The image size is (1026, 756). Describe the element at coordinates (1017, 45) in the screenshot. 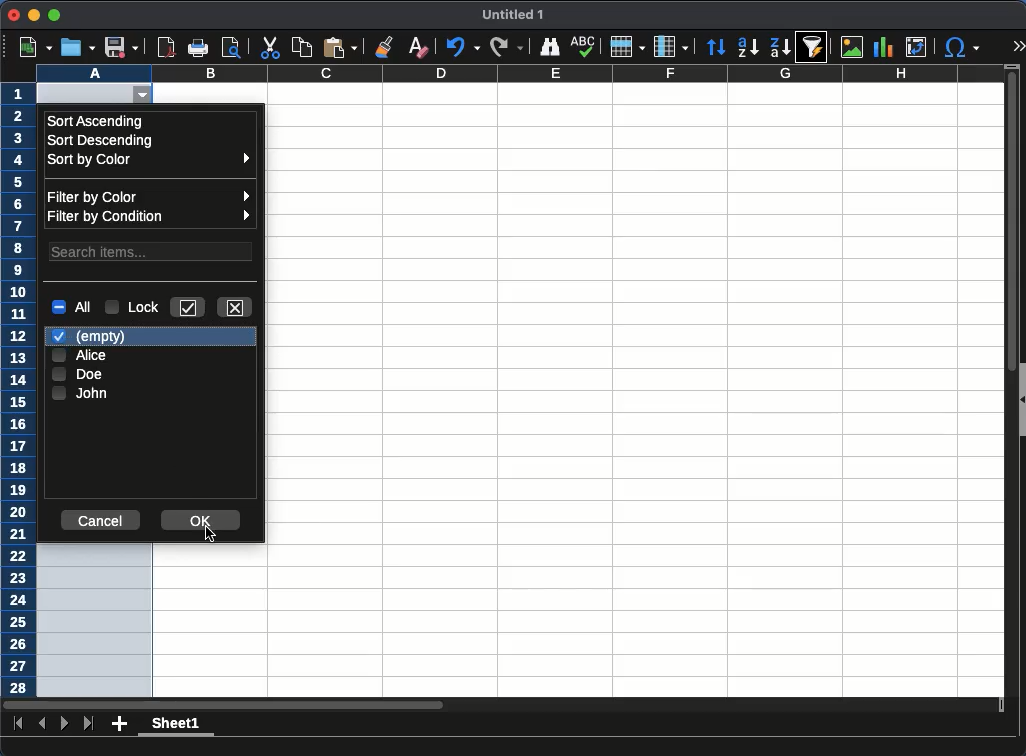

I see `expand` at that location.